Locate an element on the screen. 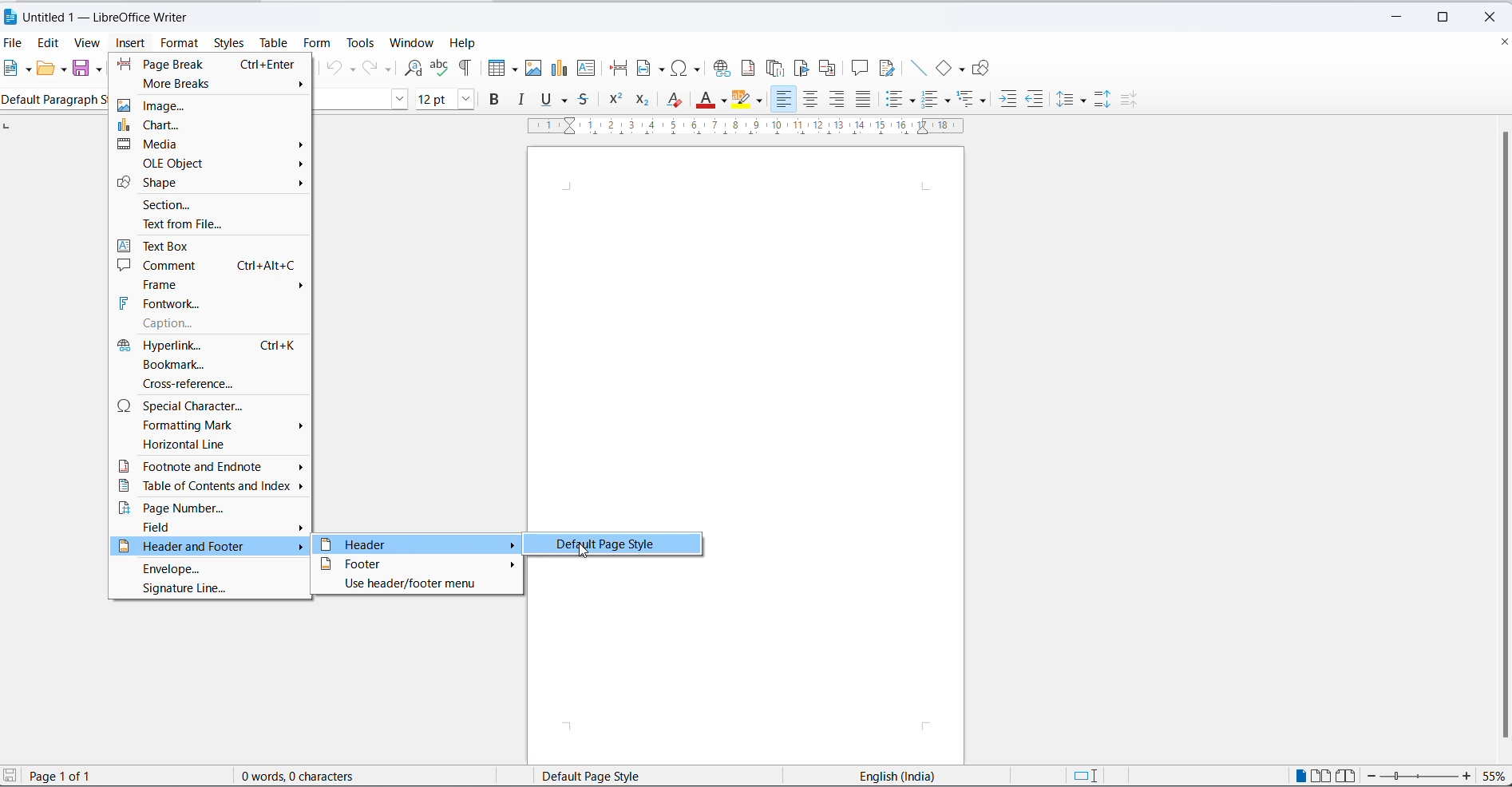  insert table is located at coordinates (493, 68).